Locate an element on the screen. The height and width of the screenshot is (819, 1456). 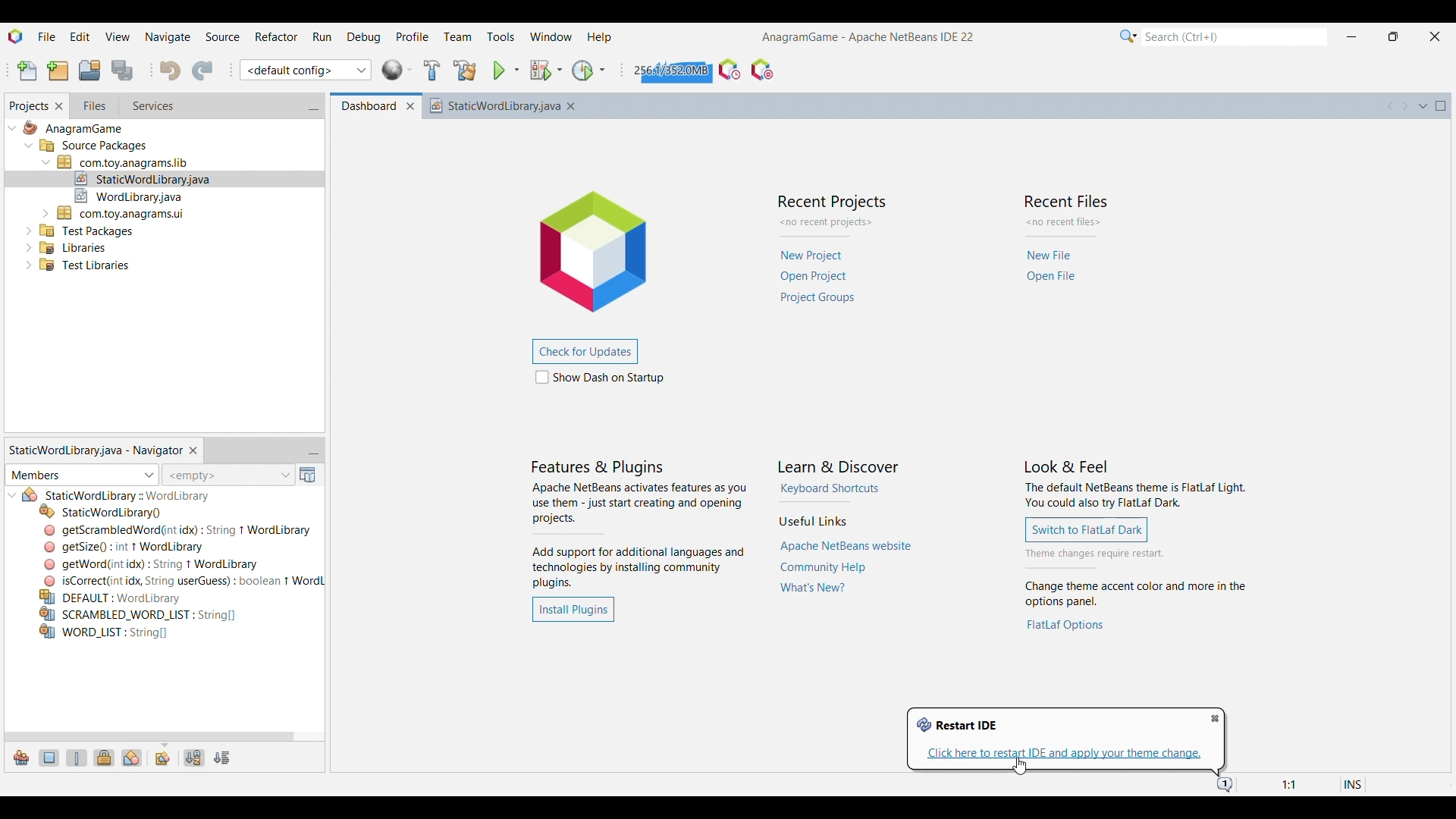
Run project options is located at coordinates (516, 70).